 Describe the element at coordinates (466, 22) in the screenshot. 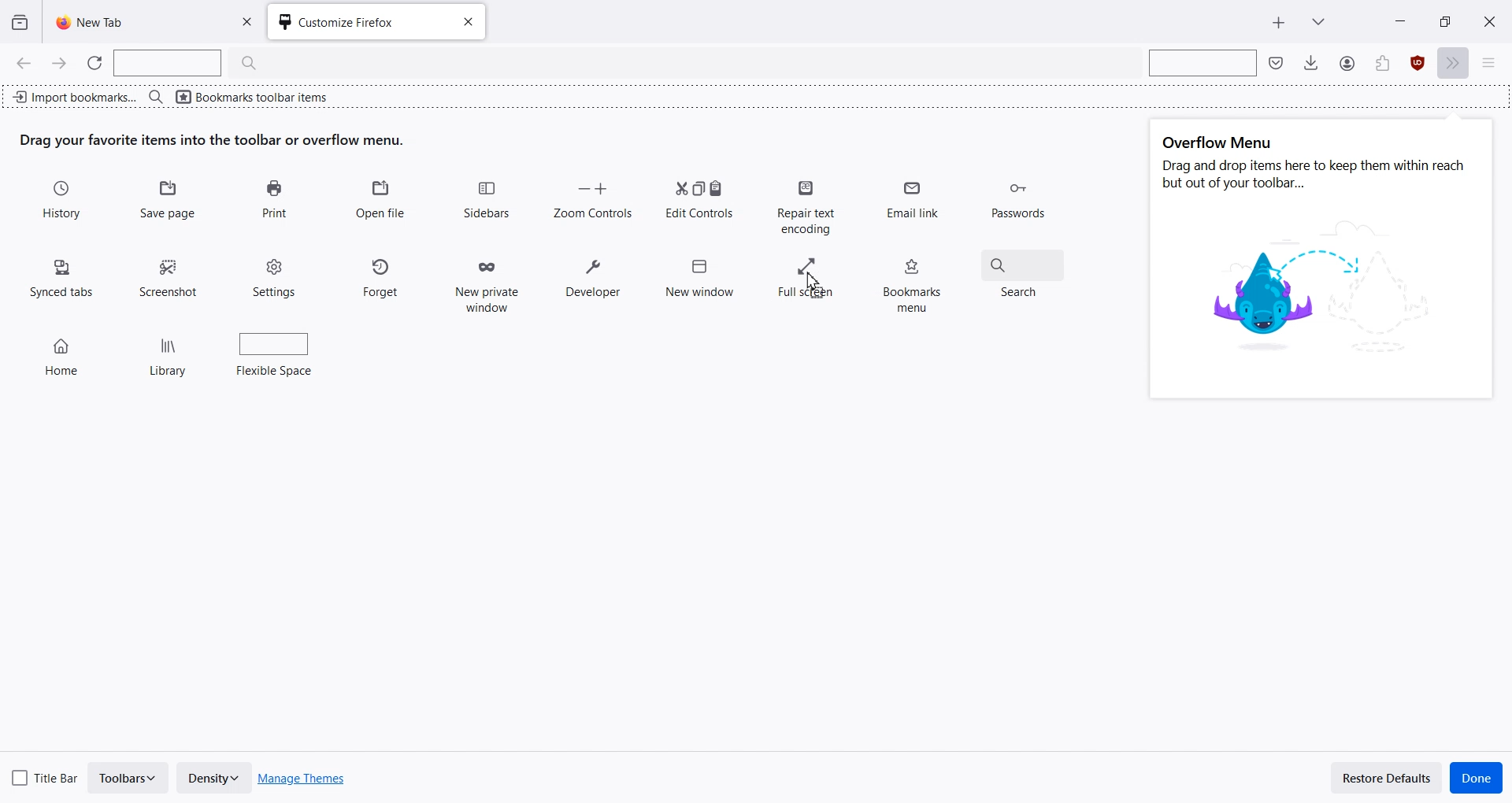

I see `Close tab` at that location.